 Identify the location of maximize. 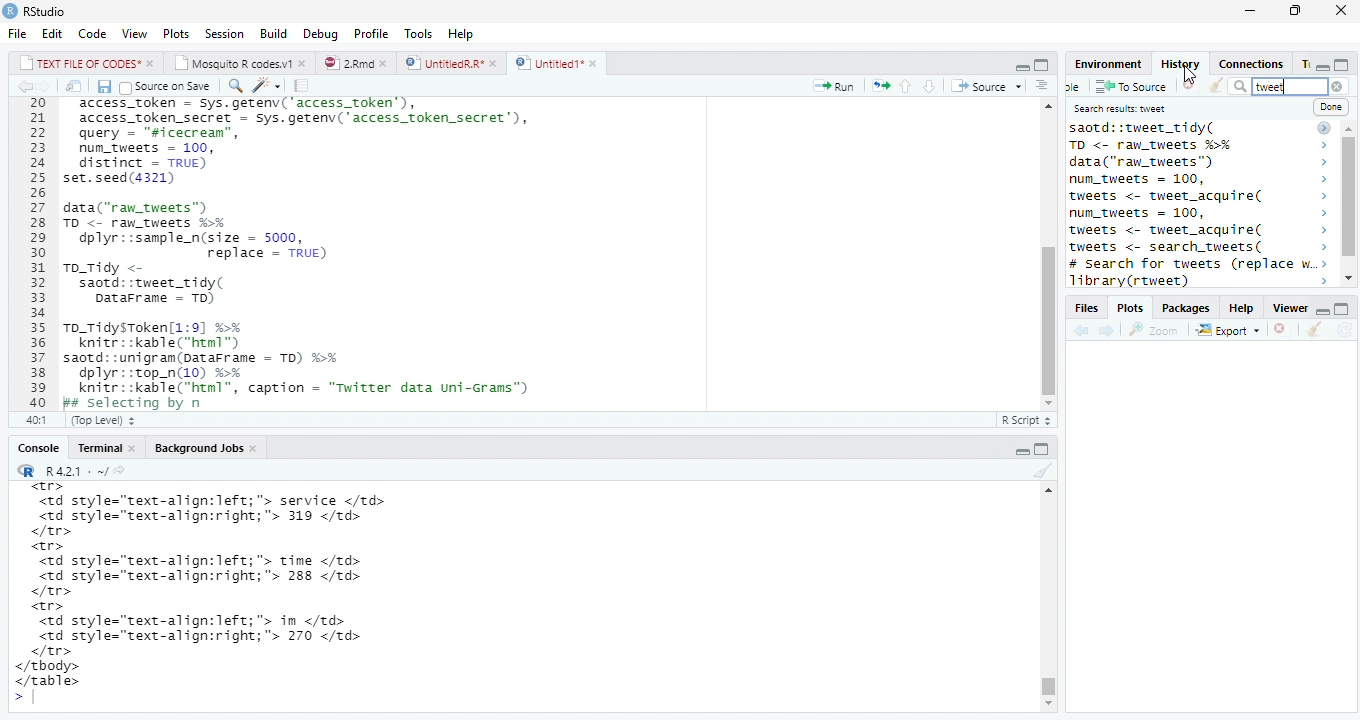
(1301, 9).